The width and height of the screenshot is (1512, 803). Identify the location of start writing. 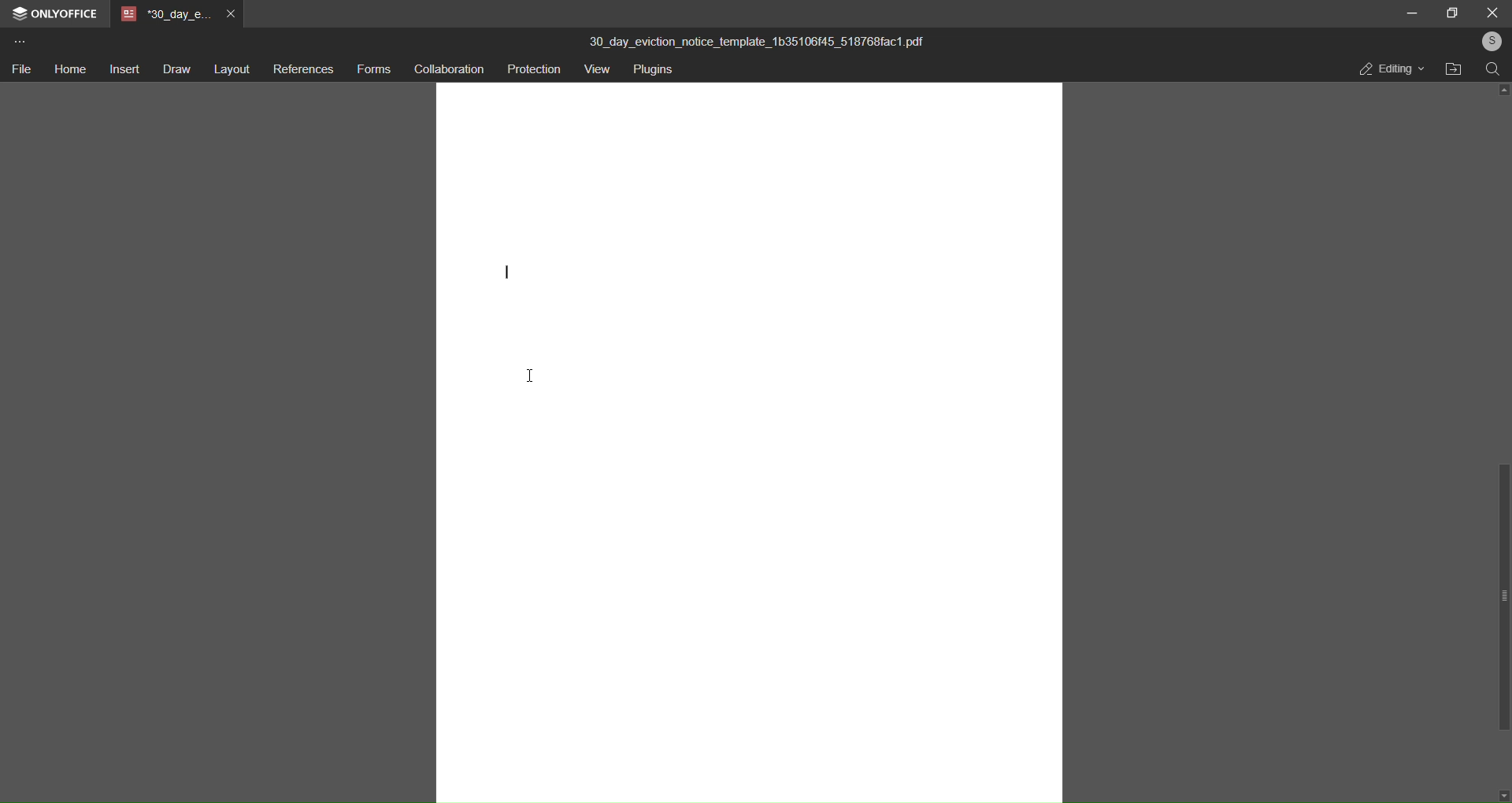
(508, 269).